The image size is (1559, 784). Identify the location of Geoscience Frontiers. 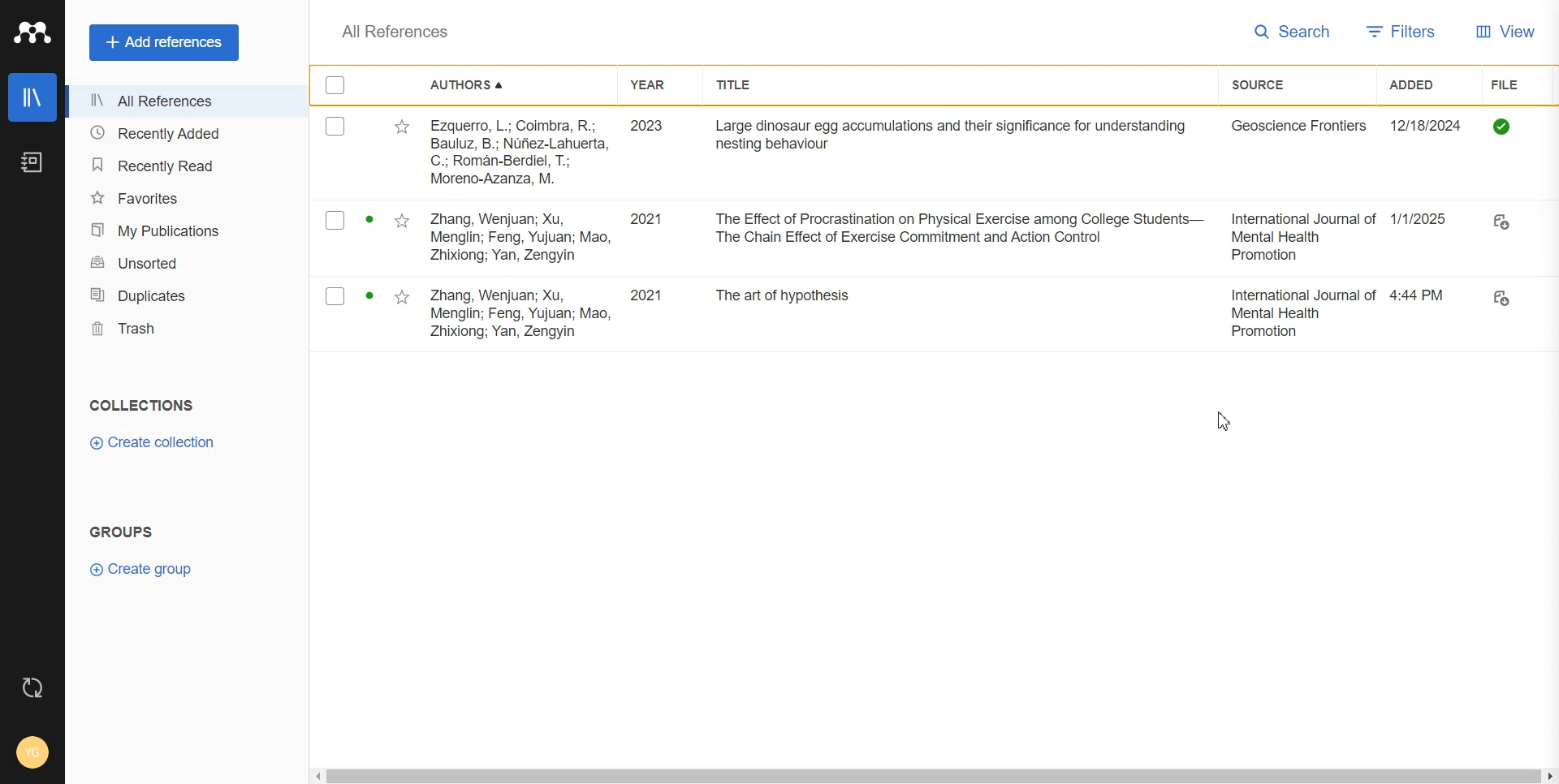
(1299, 125).